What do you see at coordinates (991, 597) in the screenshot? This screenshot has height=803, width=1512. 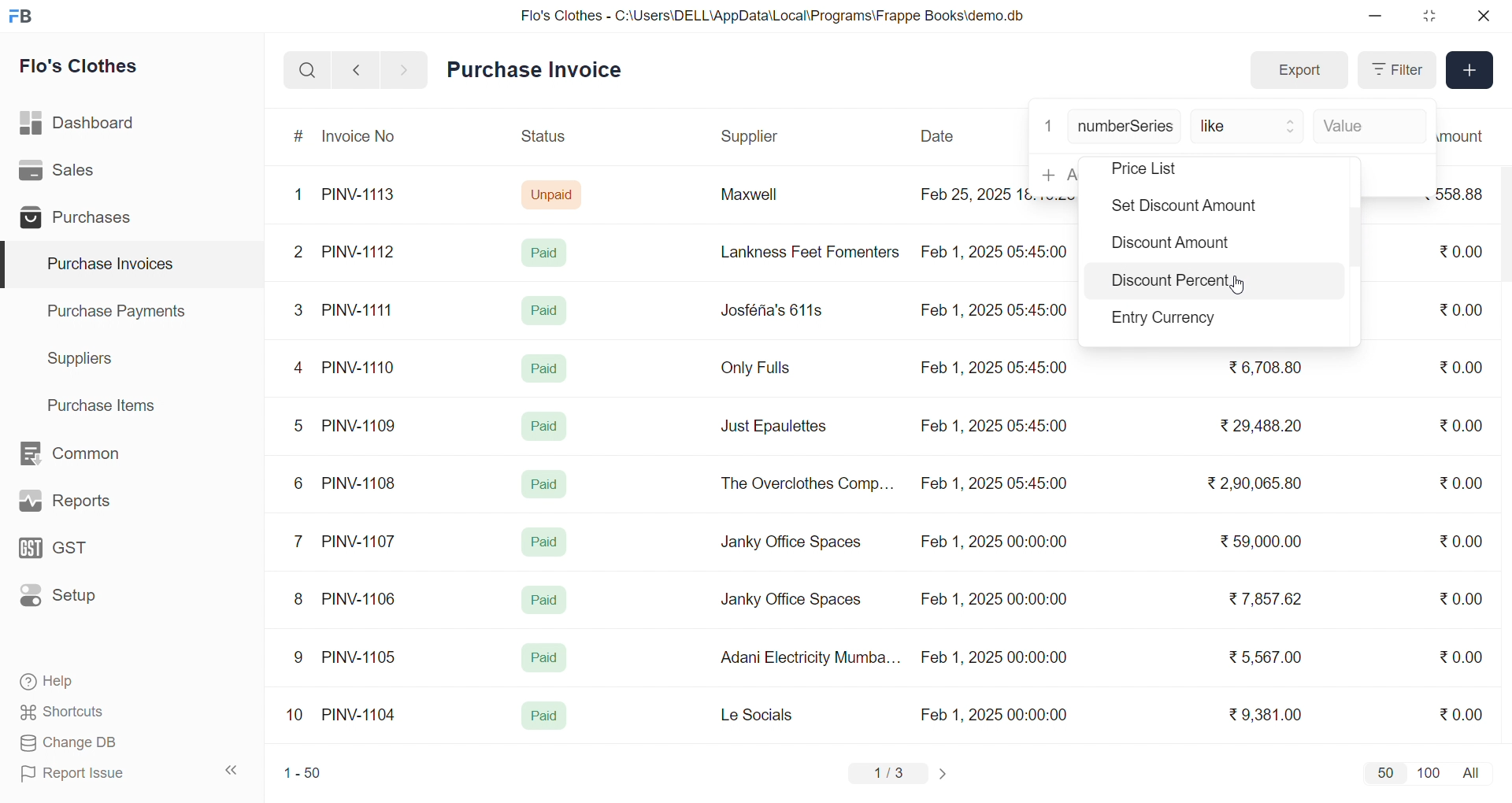 I see `Feb 1, 2025 00:00:00` at bounding box center [991, 597].